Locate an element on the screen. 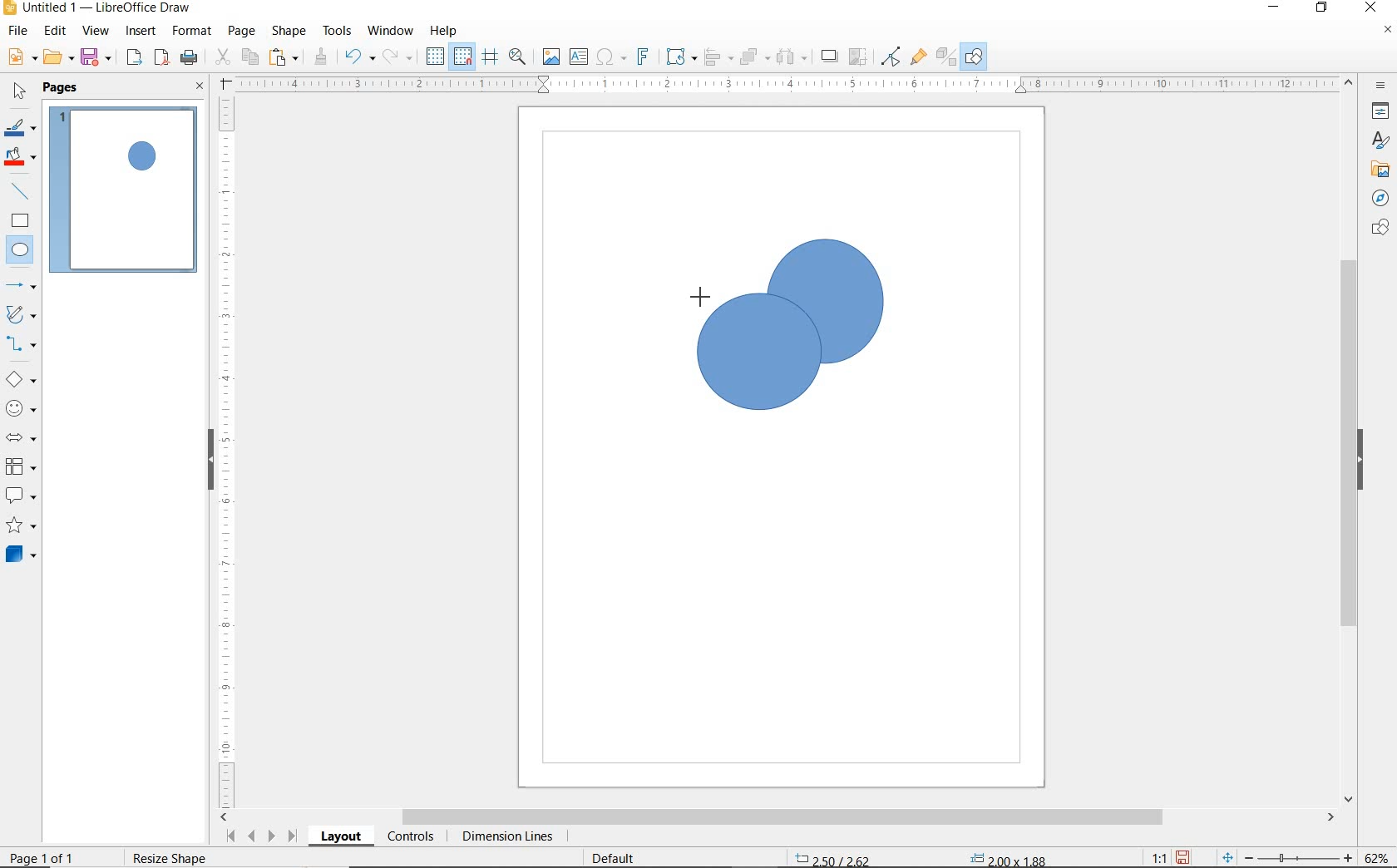  SCROLL NEXT is located at coordinates (259, 836).